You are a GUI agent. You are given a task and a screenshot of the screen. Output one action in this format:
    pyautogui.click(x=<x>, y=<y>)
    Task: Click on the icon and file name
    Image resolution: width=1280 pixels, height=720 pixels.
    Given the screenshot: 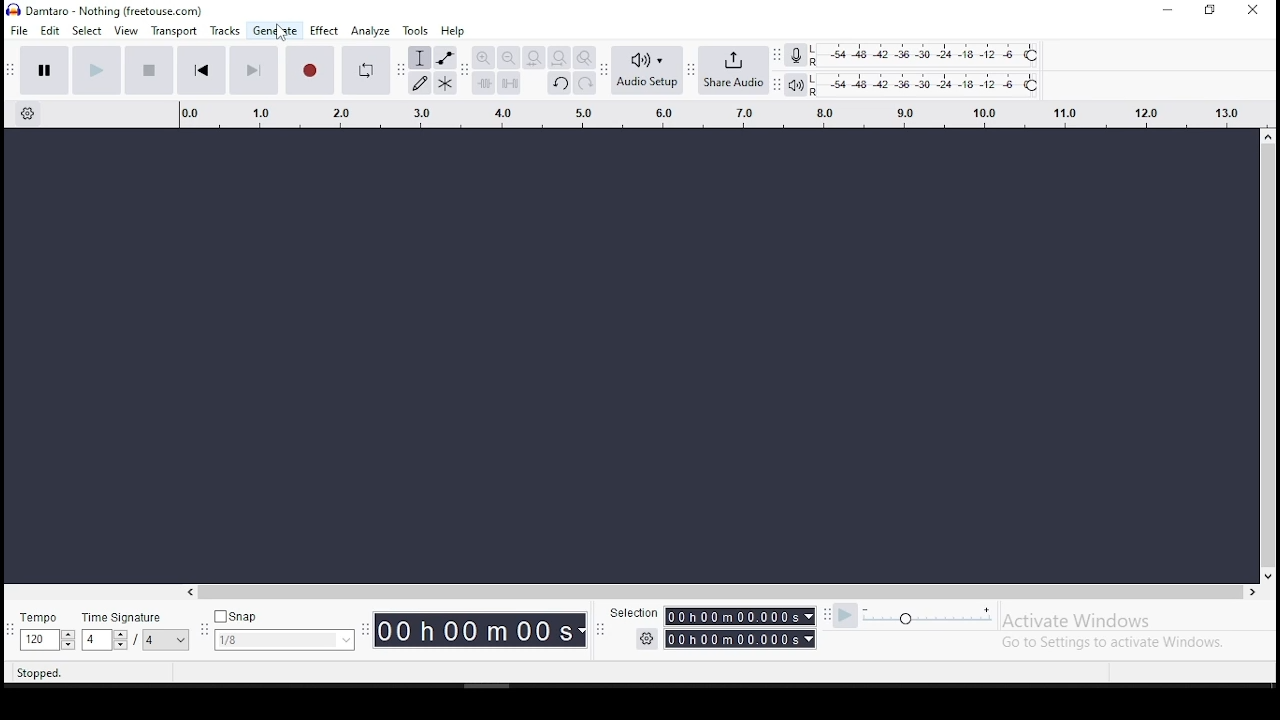 What is the action you would take?
    pyautogui.click(x=105, y=10)
    